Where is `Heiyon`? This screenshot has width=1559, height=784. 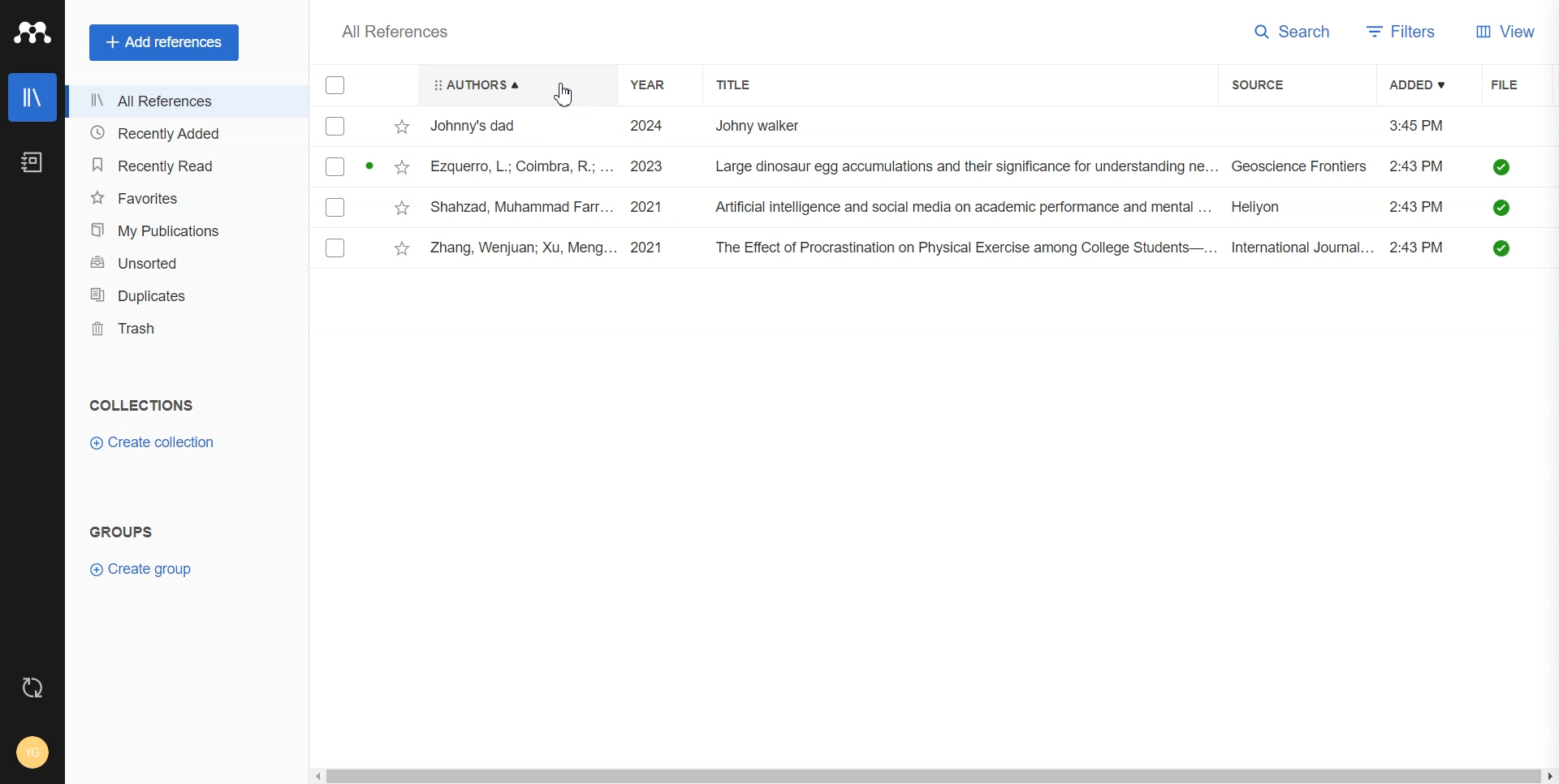 Heiyon is located at coordinates (1270, 209).